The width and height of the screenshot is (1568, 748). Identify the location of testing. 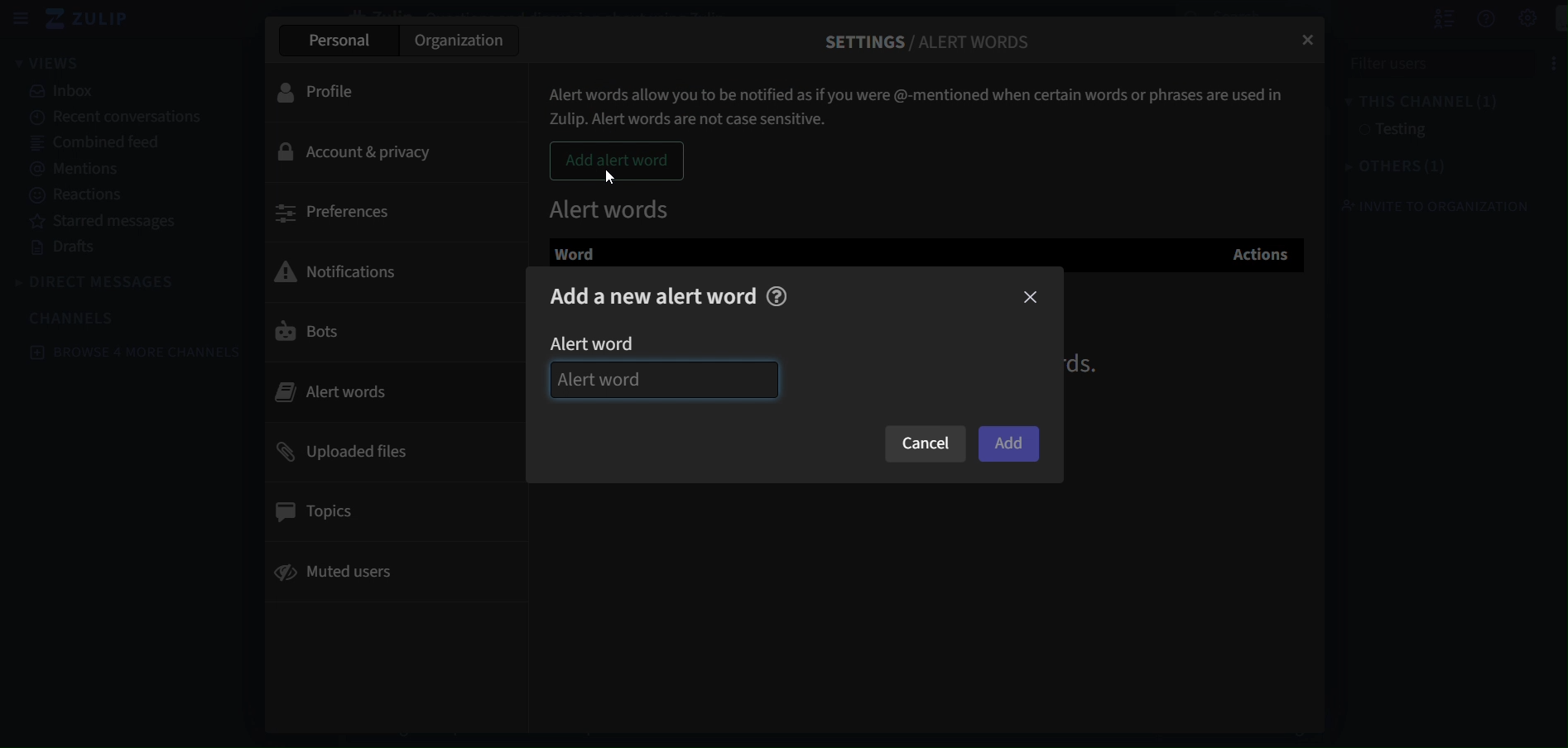
(1393, 132).